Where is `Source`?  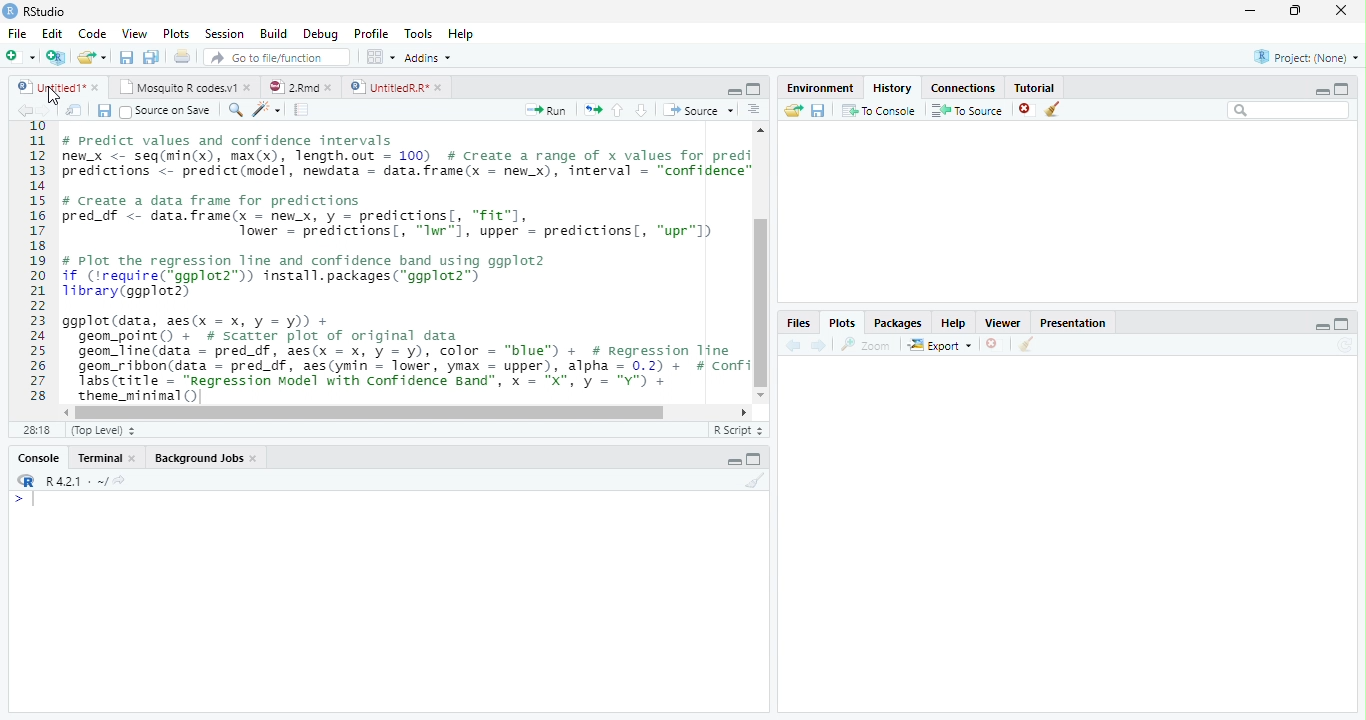
Source is located at coordinates (699, 111).